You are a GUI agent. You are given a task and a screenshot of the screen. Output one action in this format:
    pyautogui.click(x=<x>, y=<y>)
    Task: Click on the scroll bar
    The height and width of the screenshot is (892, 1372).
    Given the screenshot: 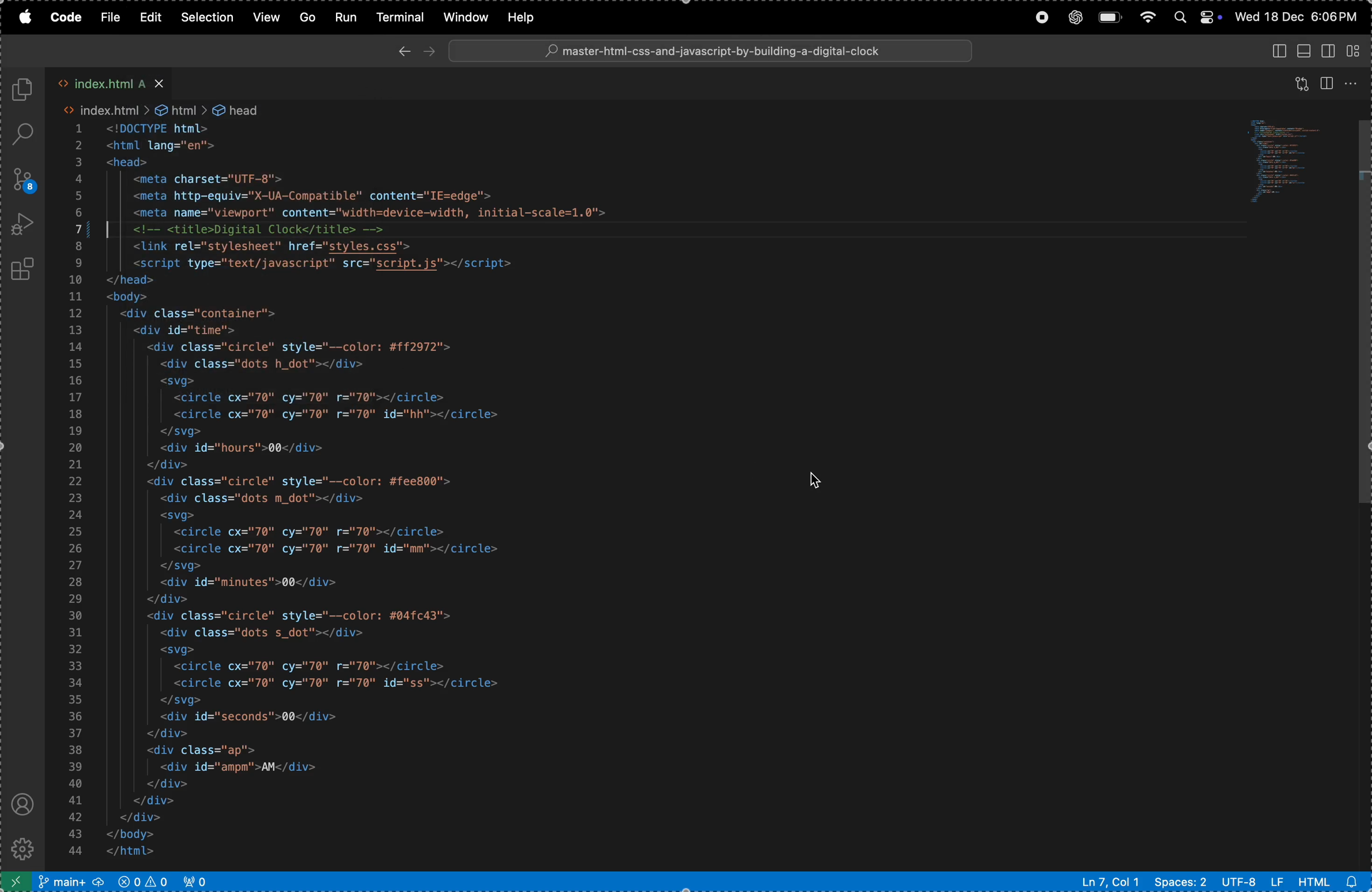 What is the action you would take?
    pyautogui.click(x=1362, y=318)
    